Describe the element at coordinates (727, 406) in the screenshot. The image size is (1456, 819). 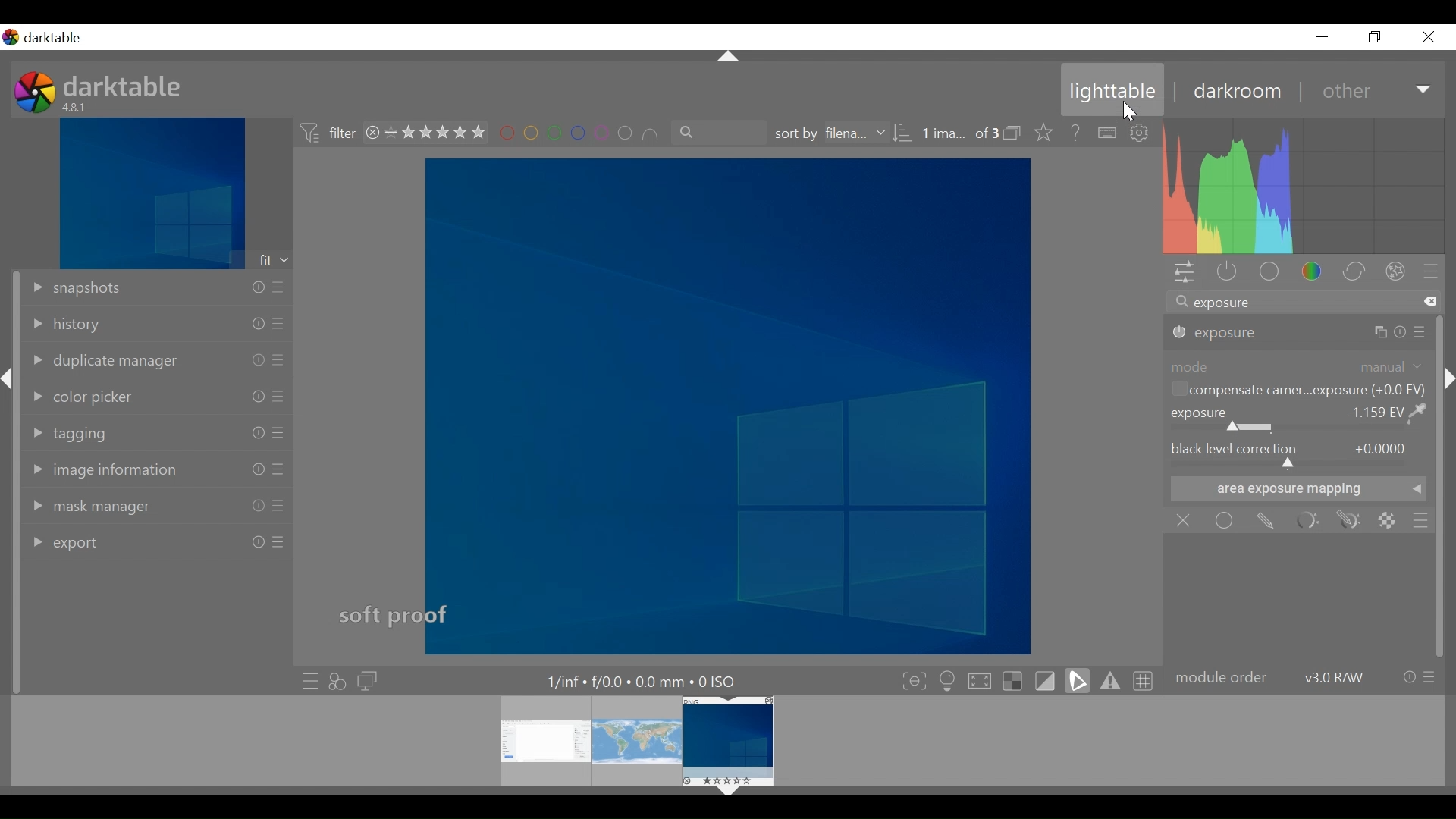
I see `image` at that location.